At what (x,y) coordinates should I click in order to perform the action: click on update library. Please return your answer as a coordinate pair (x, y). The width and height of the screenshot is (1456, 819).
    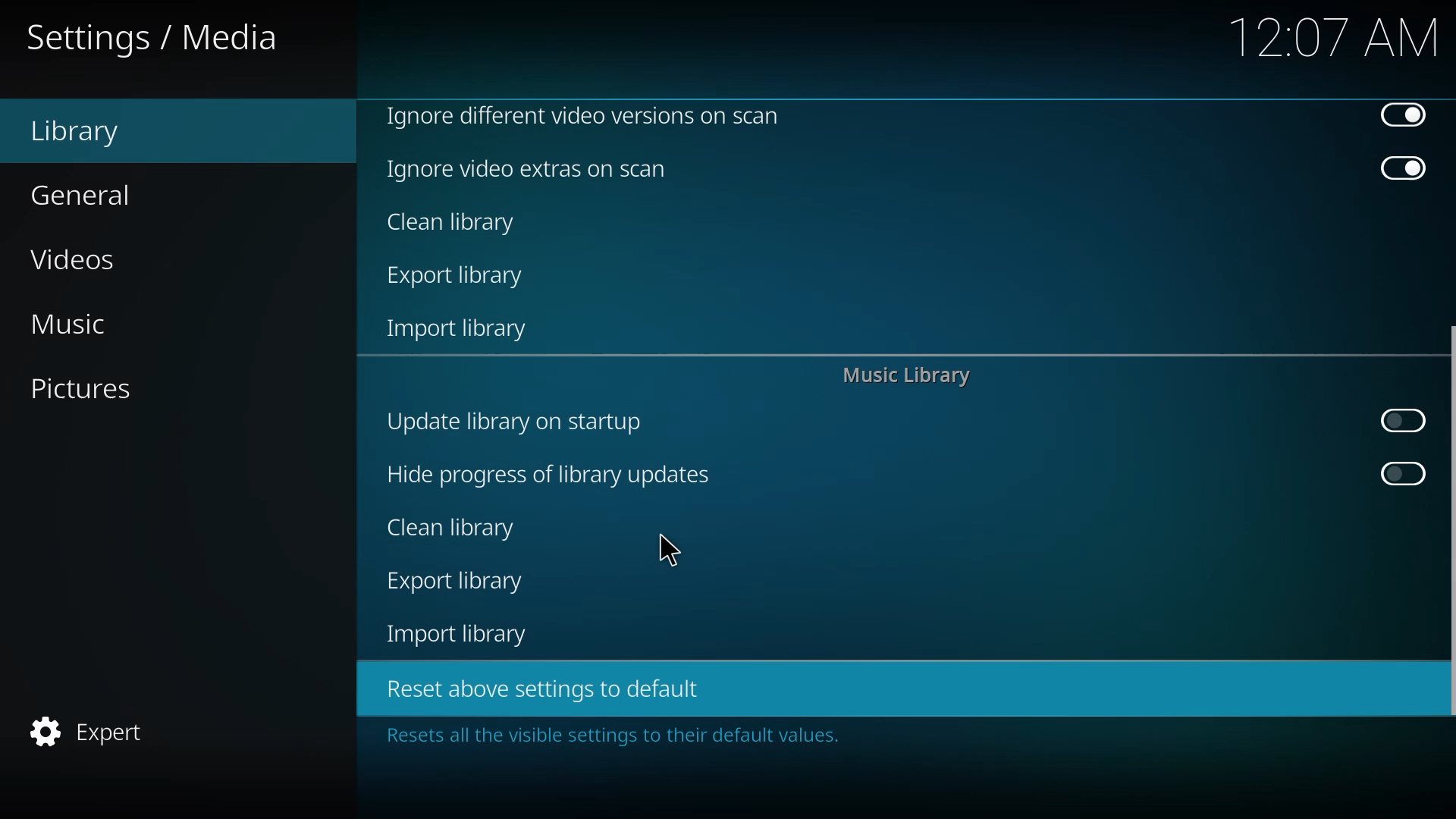
    Looking at the image, I should click on (511, 420).